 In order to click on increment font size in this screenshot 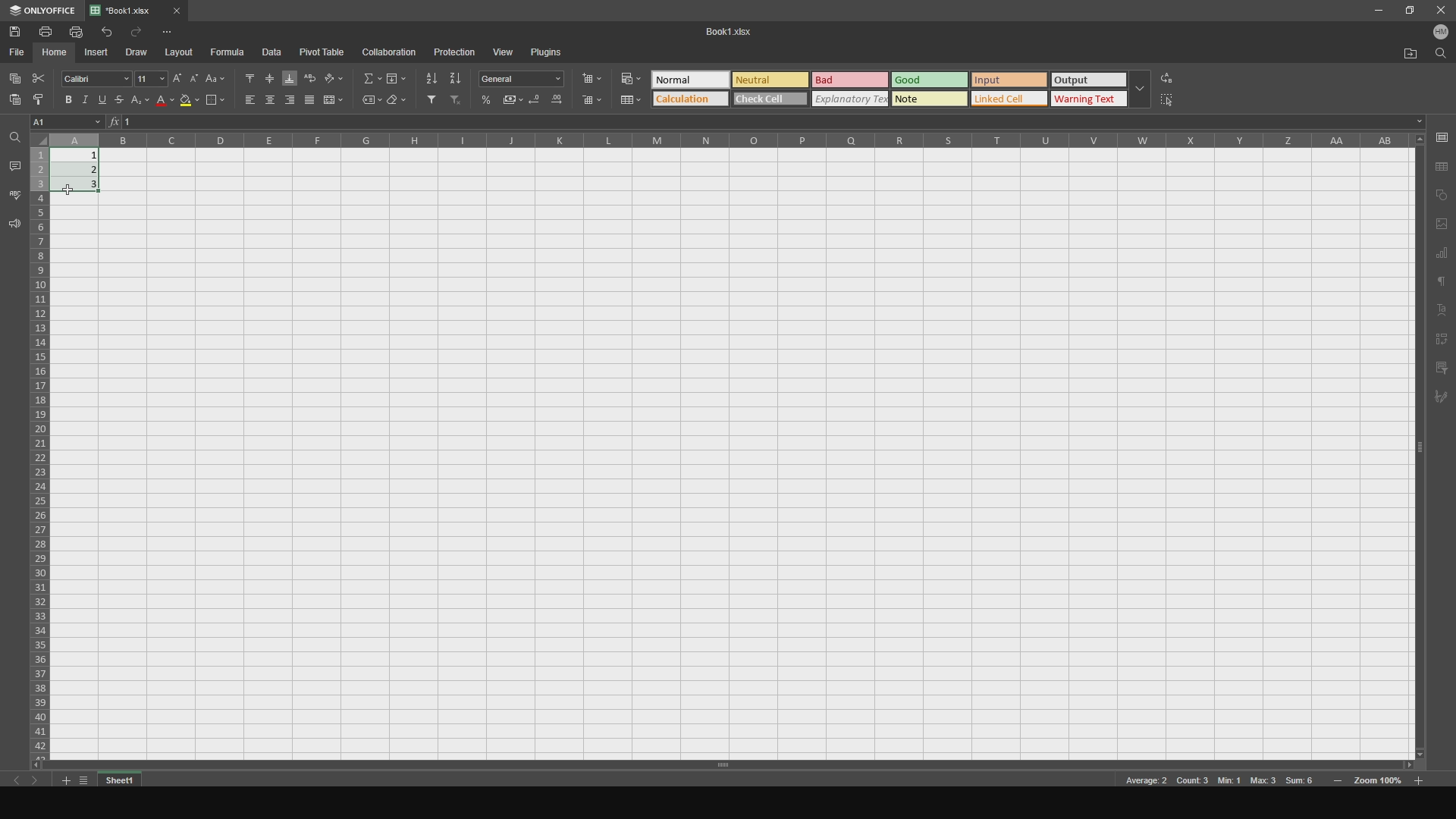, I will do `click(176, 77)`.